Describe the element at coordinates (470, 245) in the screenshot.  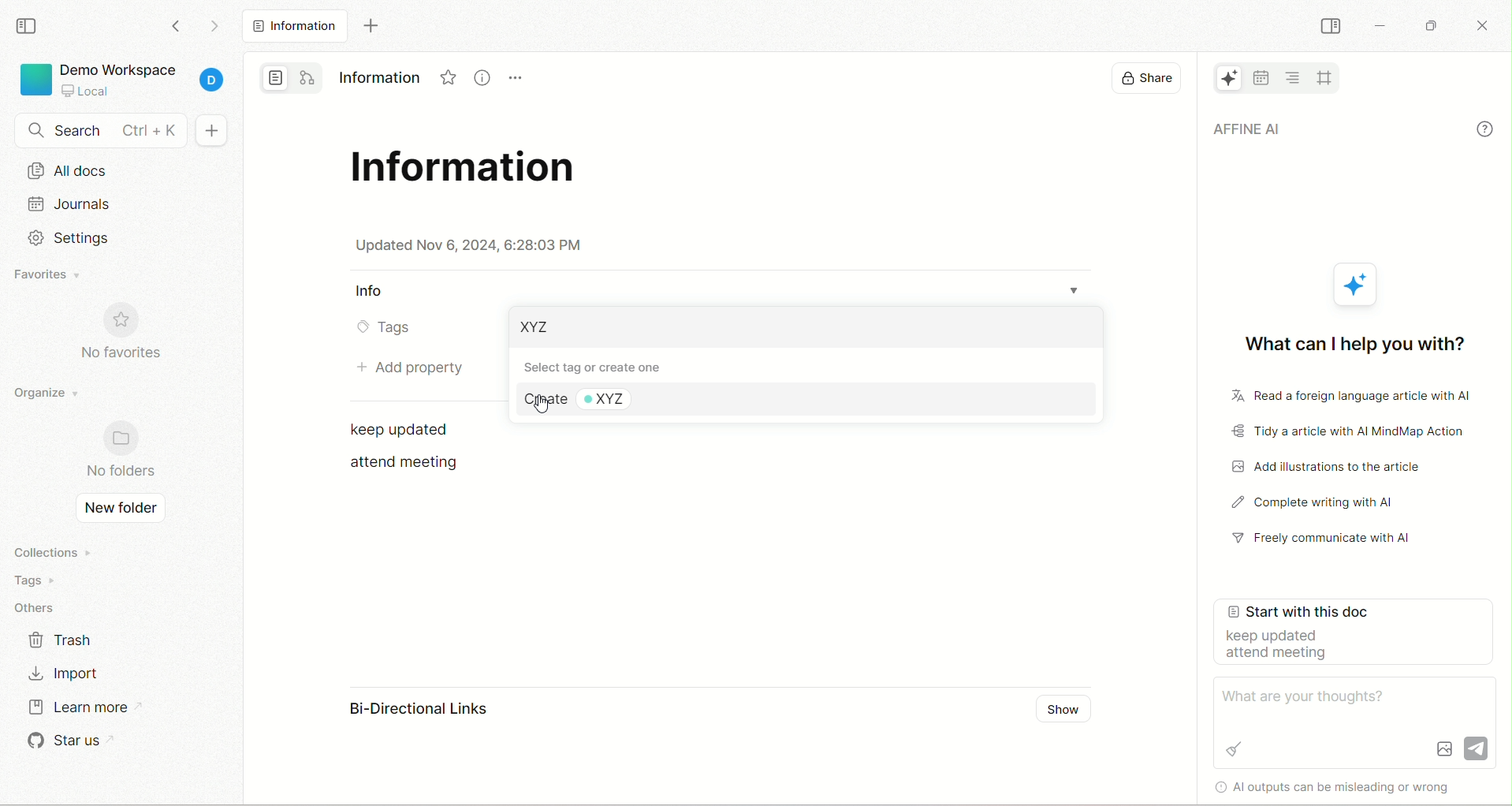
I see `date & time` at that location.